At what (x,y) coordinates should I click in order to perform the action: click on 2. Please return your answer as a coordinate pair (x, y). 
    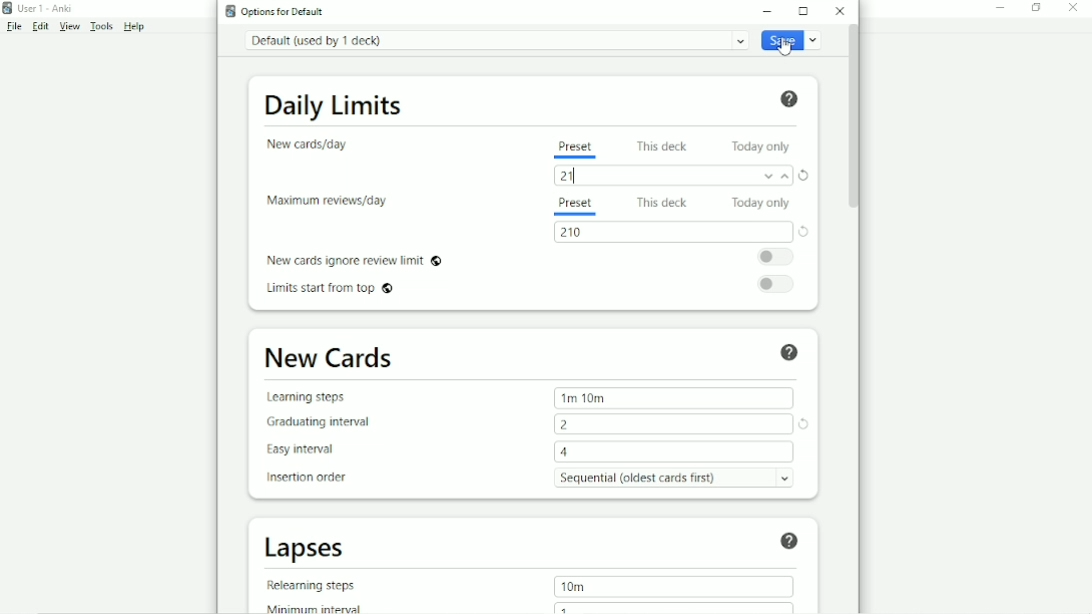
    Looking at the image, I should click on (566, 426).